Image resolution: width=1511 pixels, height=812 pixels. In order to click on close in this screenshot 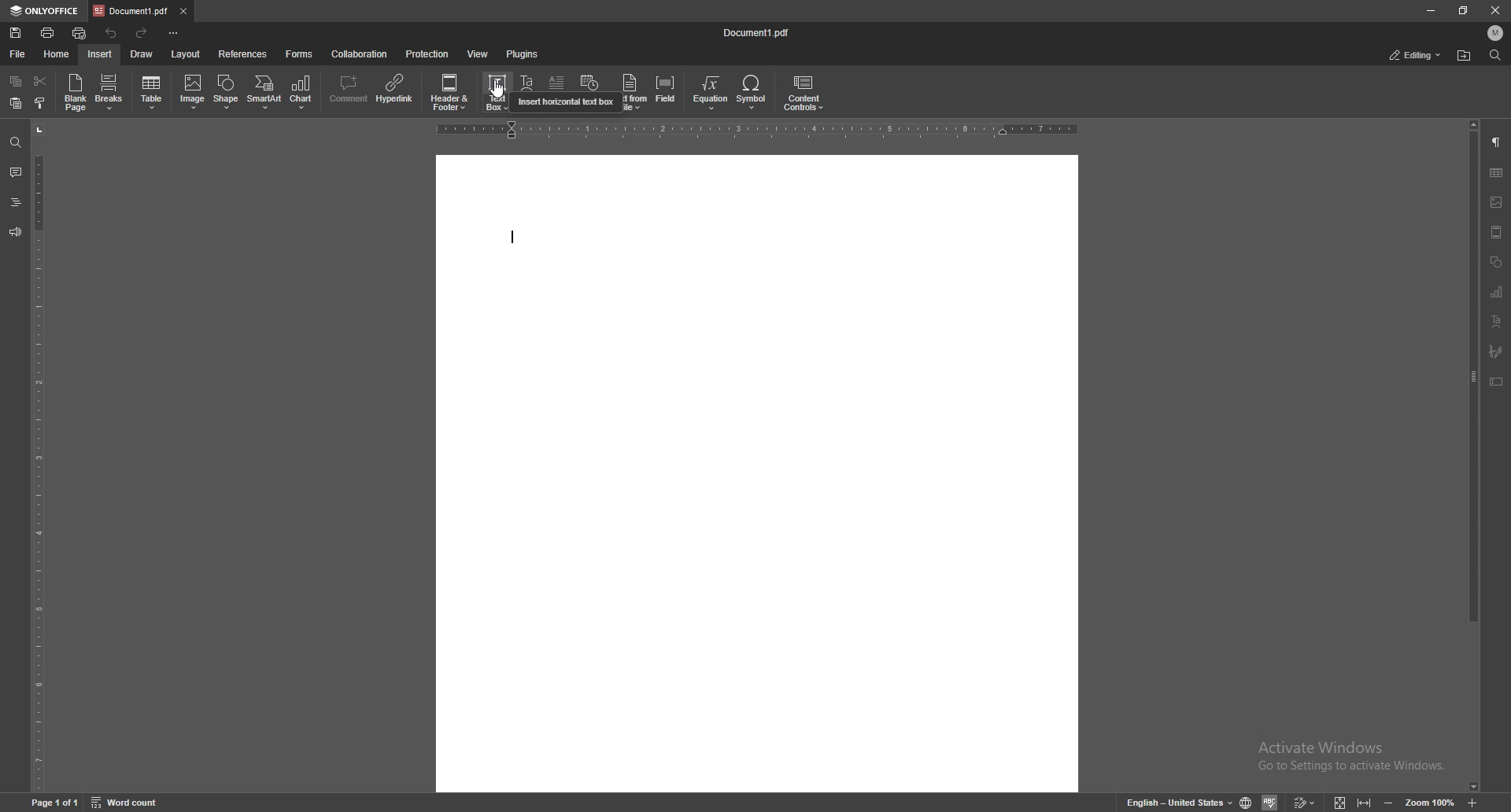, I will do `click(1496, 13)`.